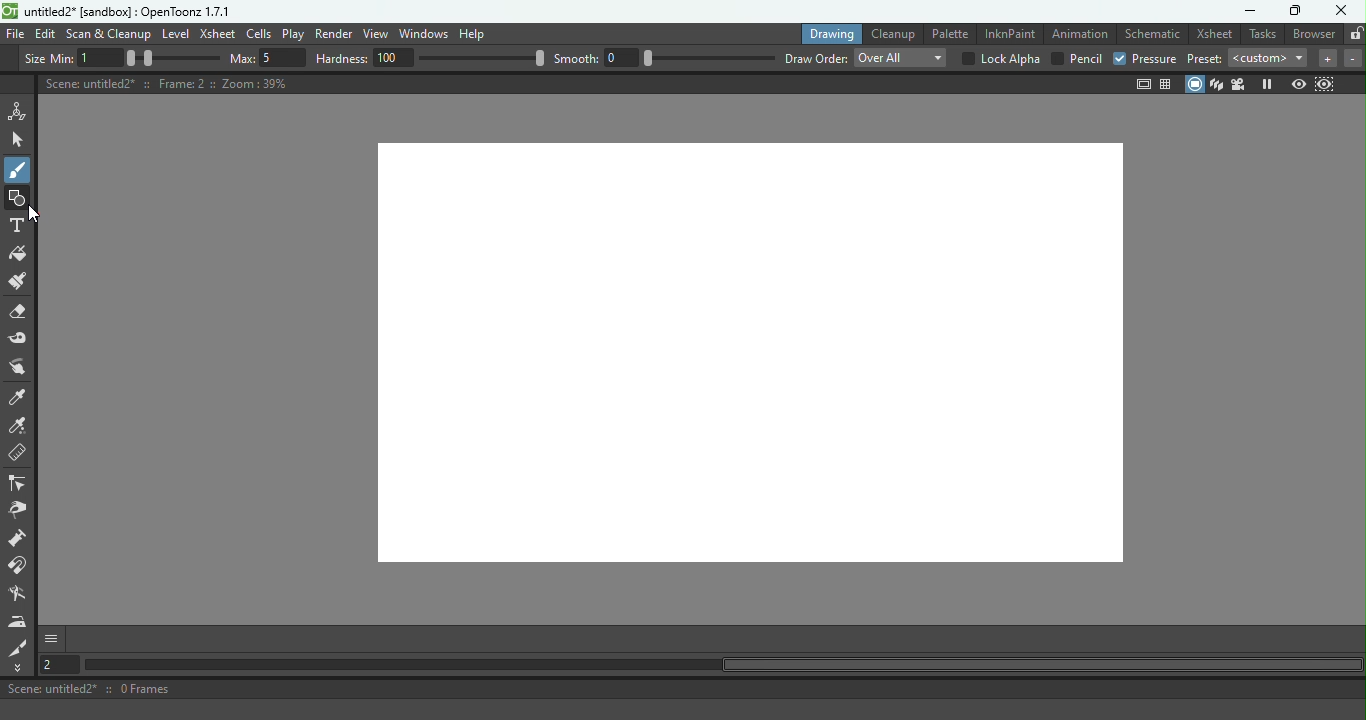 The width and height of the screenshot is (1366, 720). Describe the element at coordinates (422, 34) in the screenshot. I see `Windows` at that location.